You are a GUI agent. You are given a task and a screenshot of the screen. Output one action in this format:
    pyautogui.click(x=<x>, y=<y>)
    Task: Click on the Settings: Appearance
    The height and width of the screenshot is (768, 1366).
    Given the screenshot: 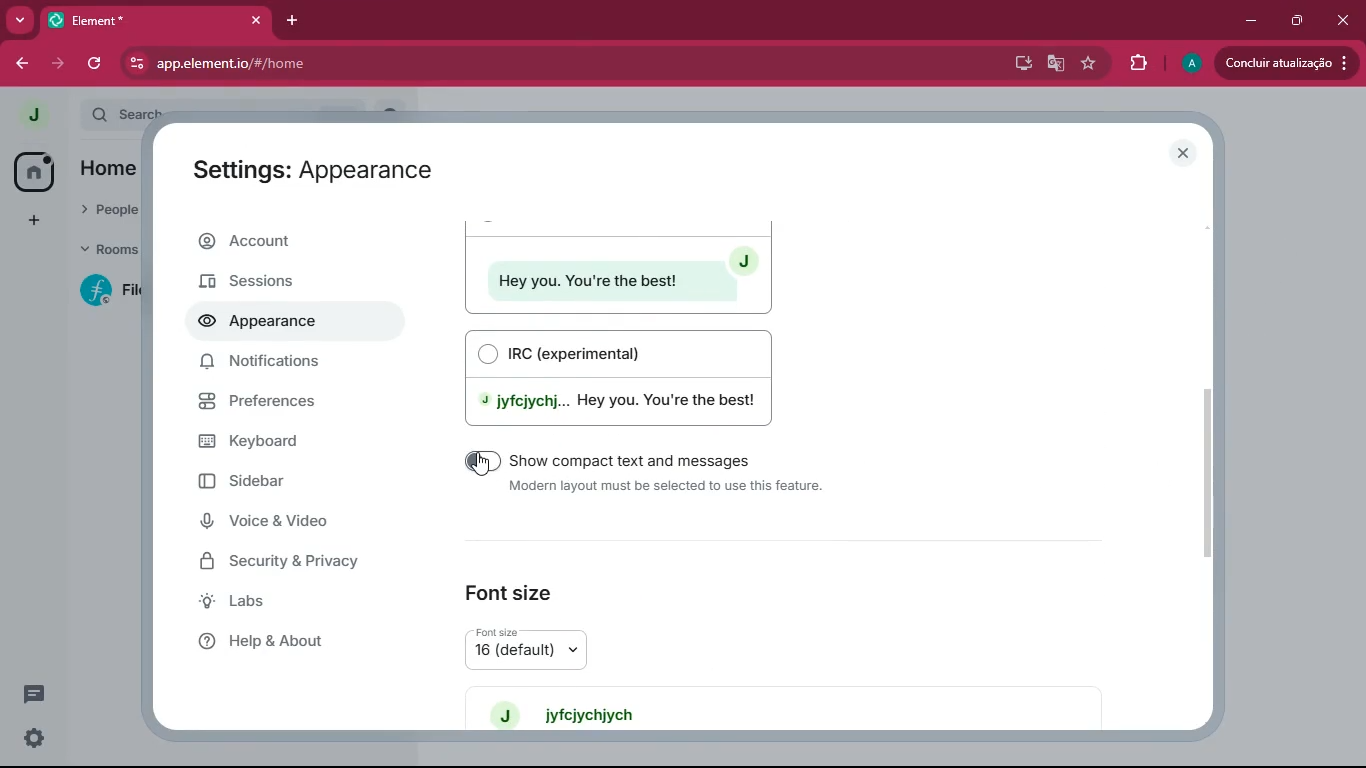 What is the action you would take?
    pyautogui.click(x=309, y=171)
    